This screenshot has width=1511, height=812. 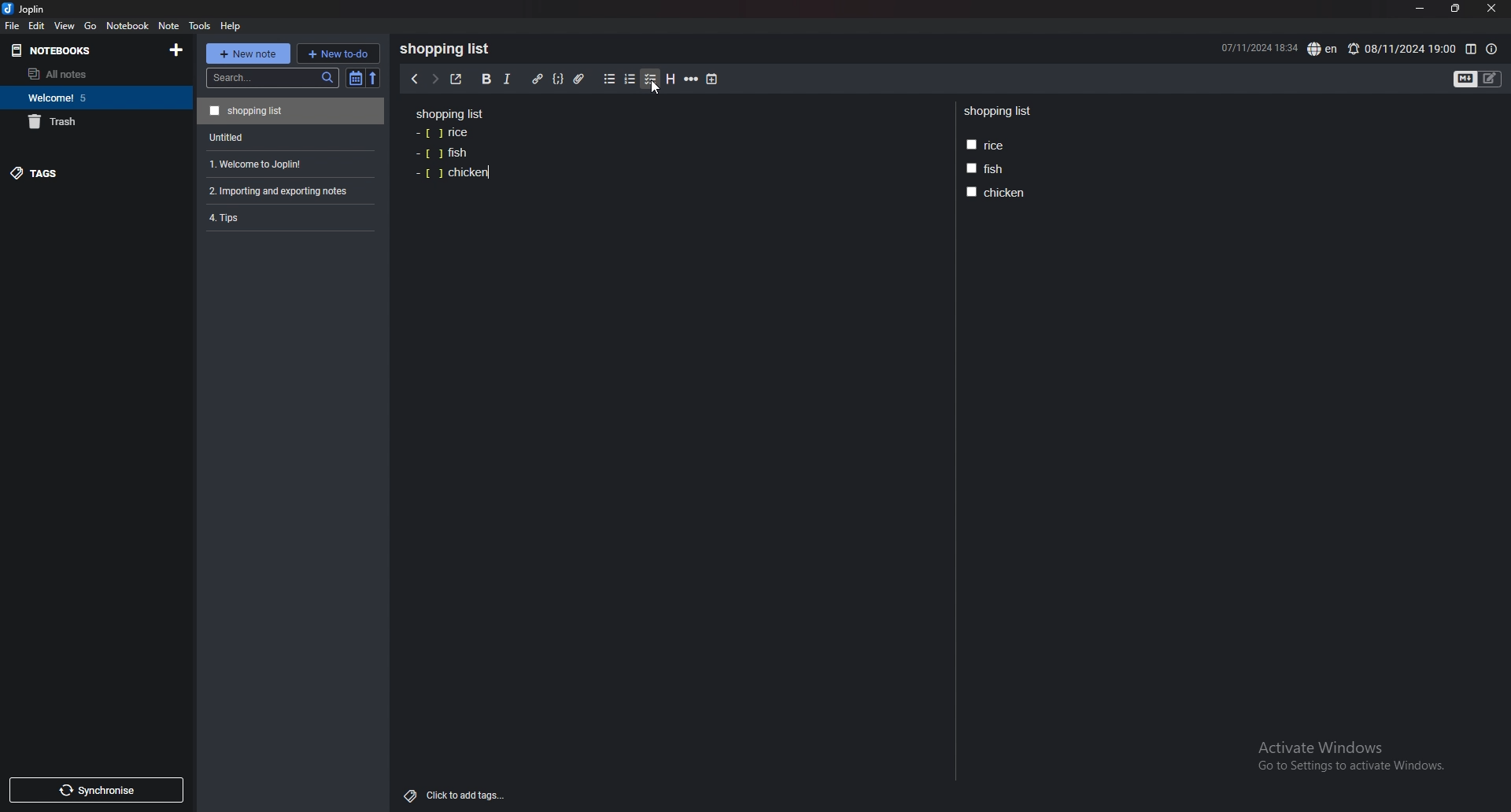 I want to click on previous, so click(x=413, y=79).